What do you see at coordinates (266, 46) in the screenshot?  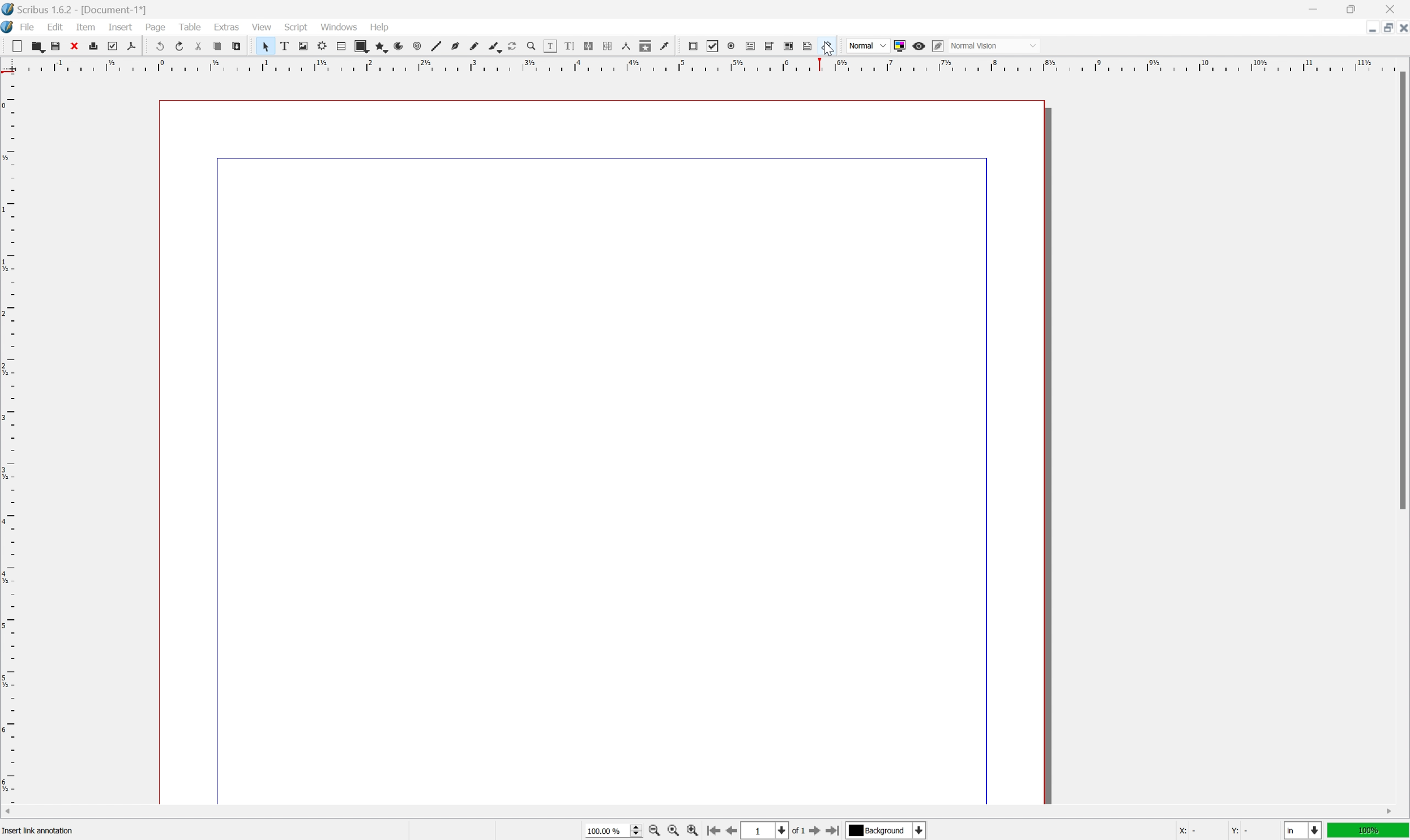 I see `select item` at bounding box center [266, 46].